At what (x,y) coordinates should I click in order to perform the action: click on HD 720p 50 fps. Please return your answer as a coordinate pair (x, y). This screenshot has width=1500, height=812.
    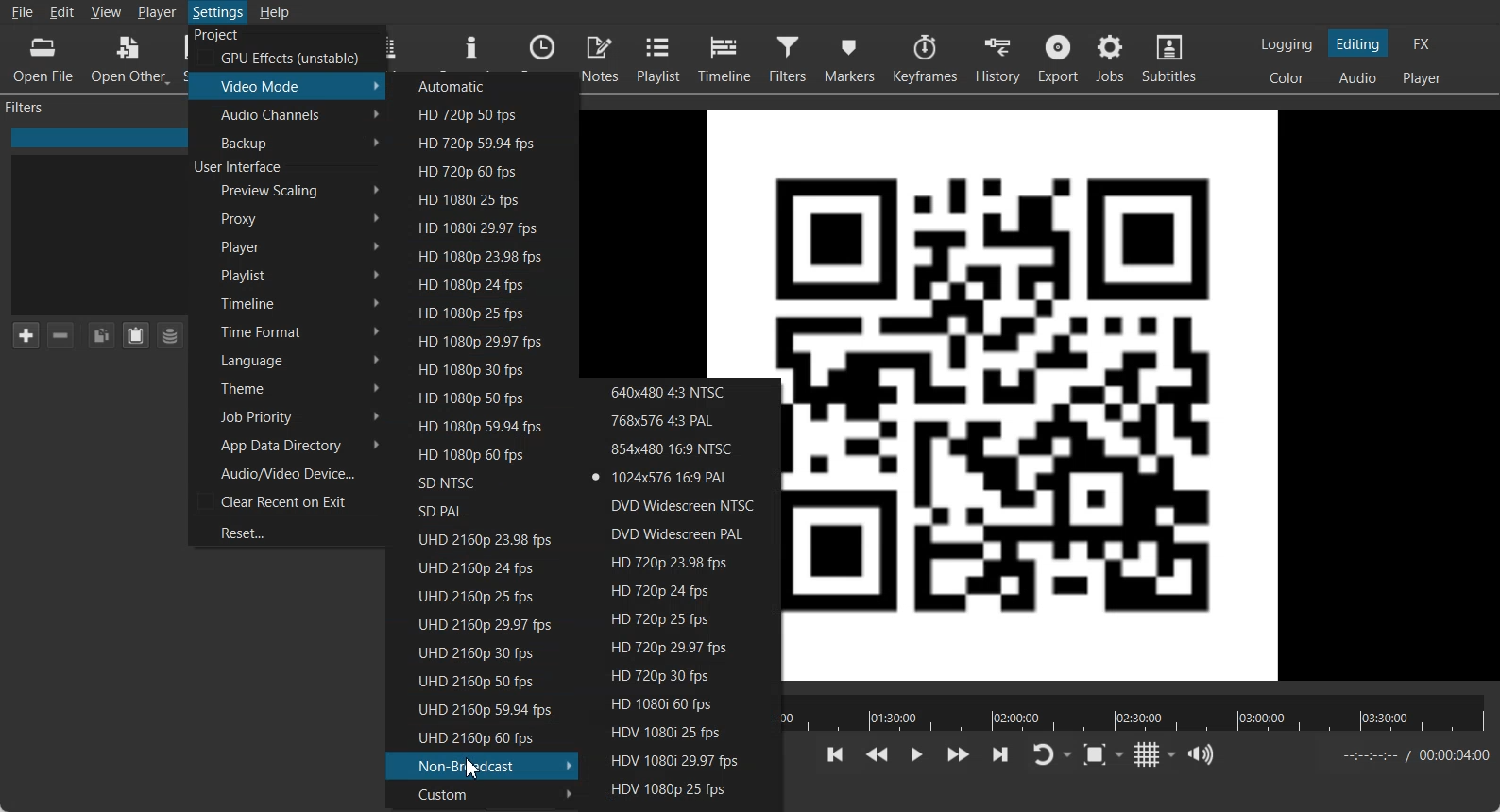
    Looking at the image, I should click on (483, 114).